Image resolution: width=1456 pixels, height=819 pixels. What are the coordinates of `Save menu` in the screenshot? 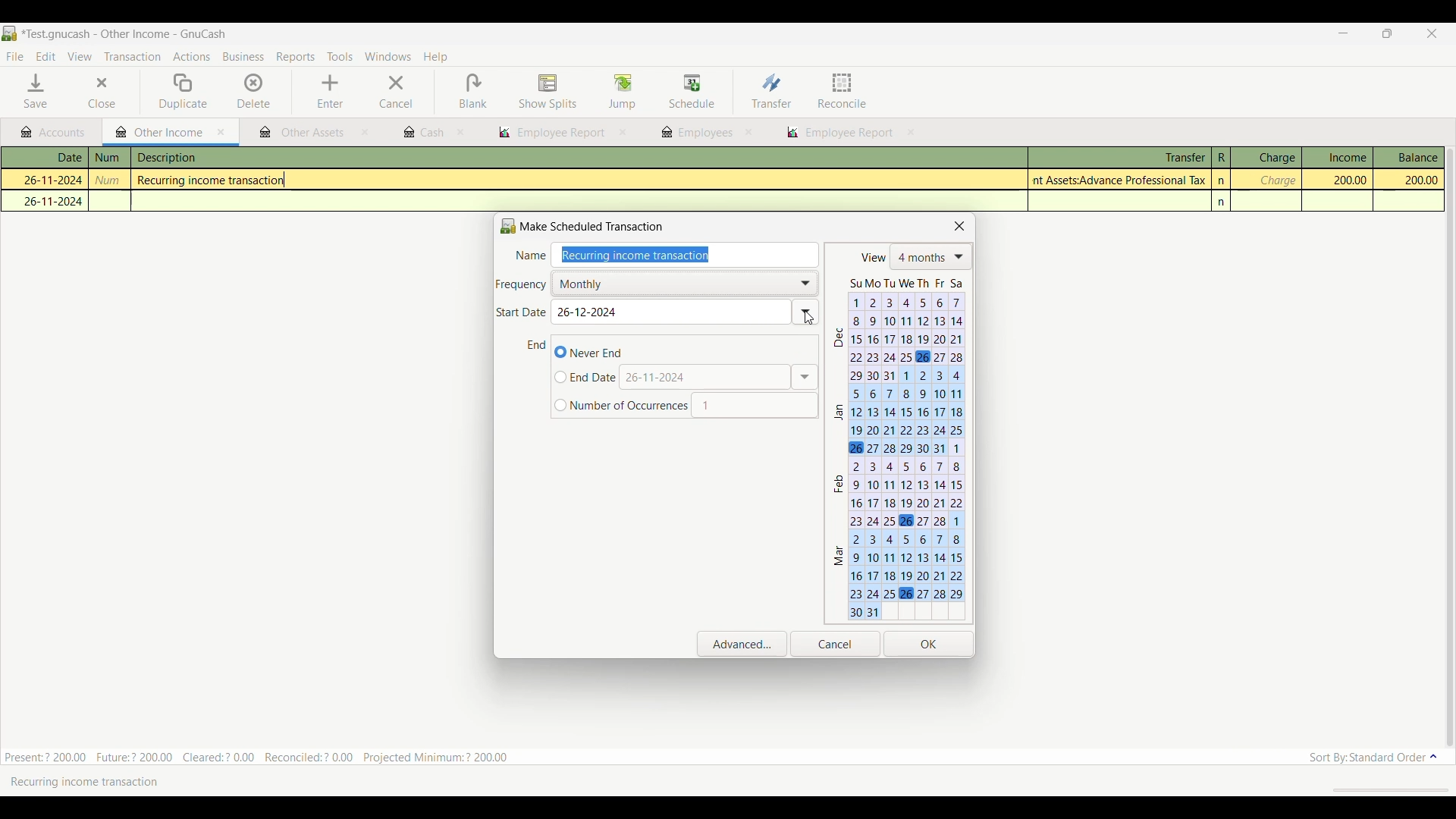 It's located at (37, 91).